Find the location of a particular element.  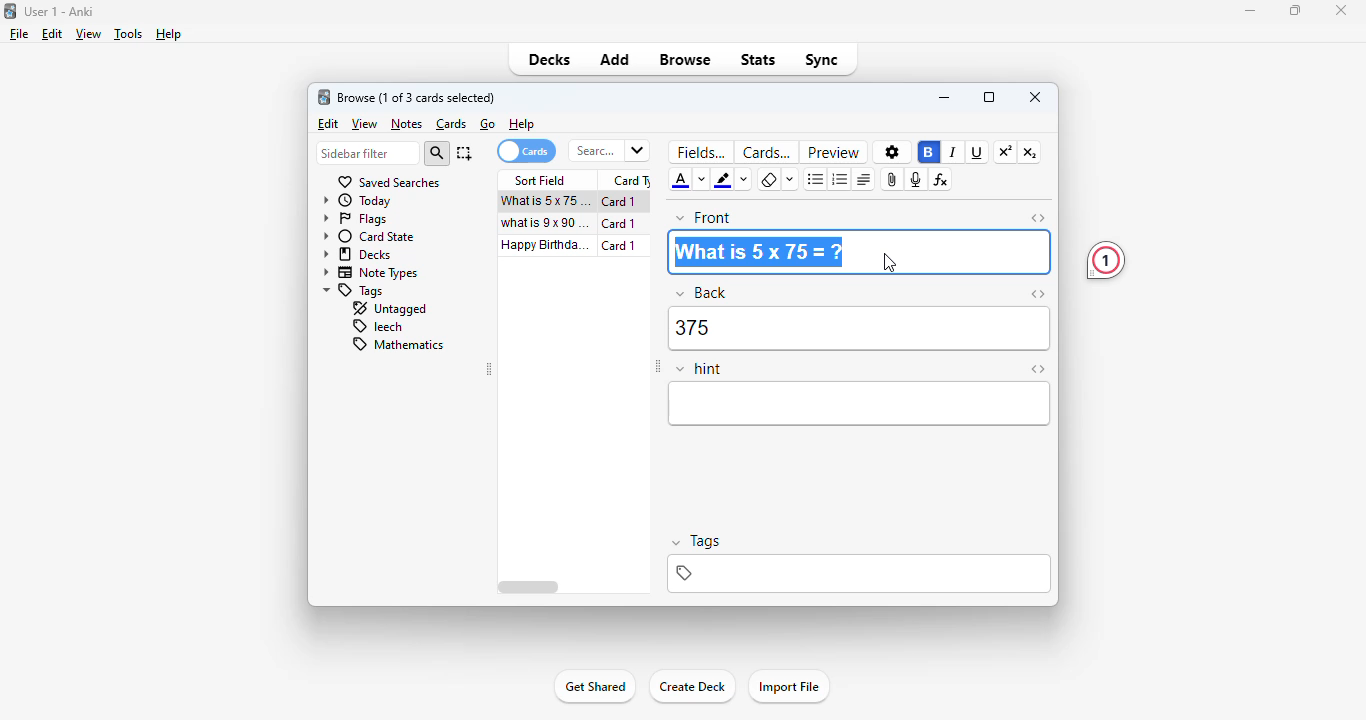

tags is located at coordinates (354, 292).